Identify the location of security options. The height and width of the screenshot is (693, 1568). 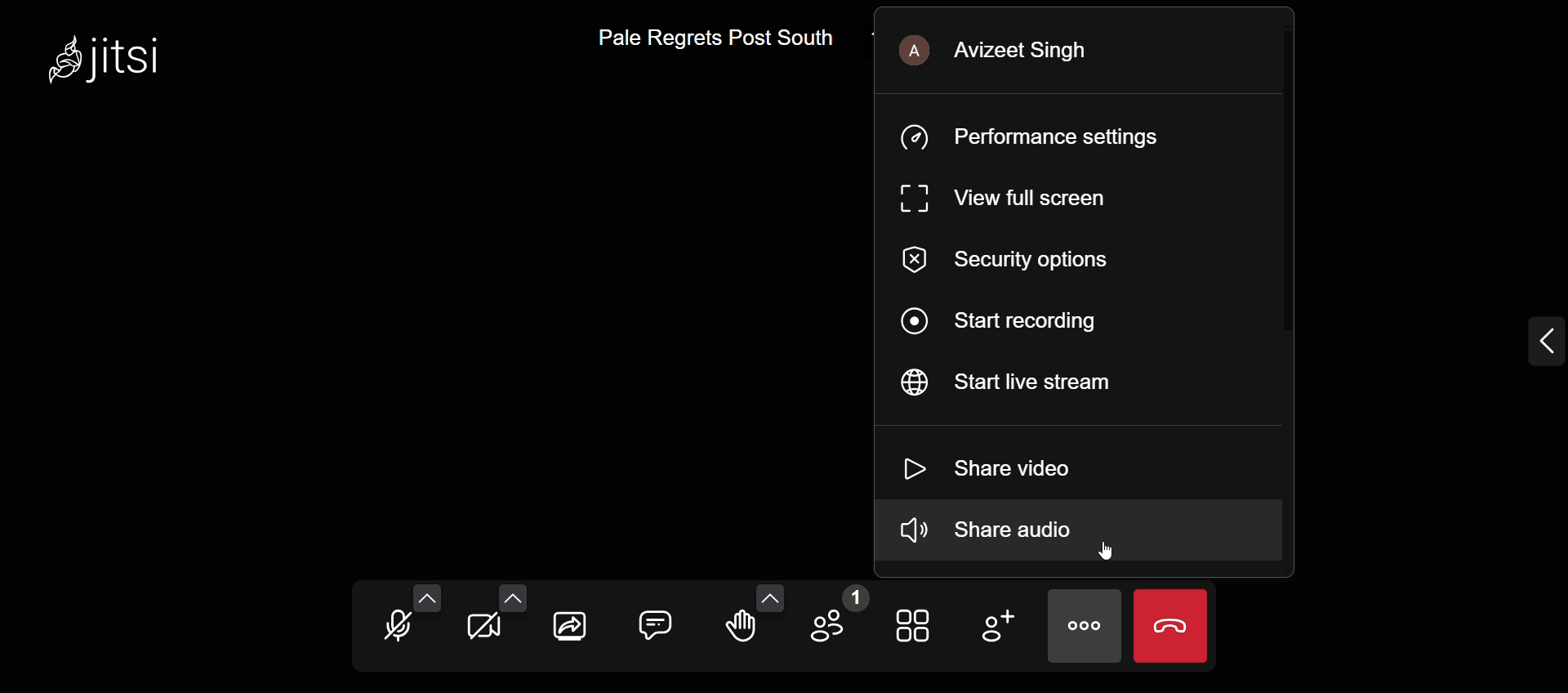
(1023, 260).